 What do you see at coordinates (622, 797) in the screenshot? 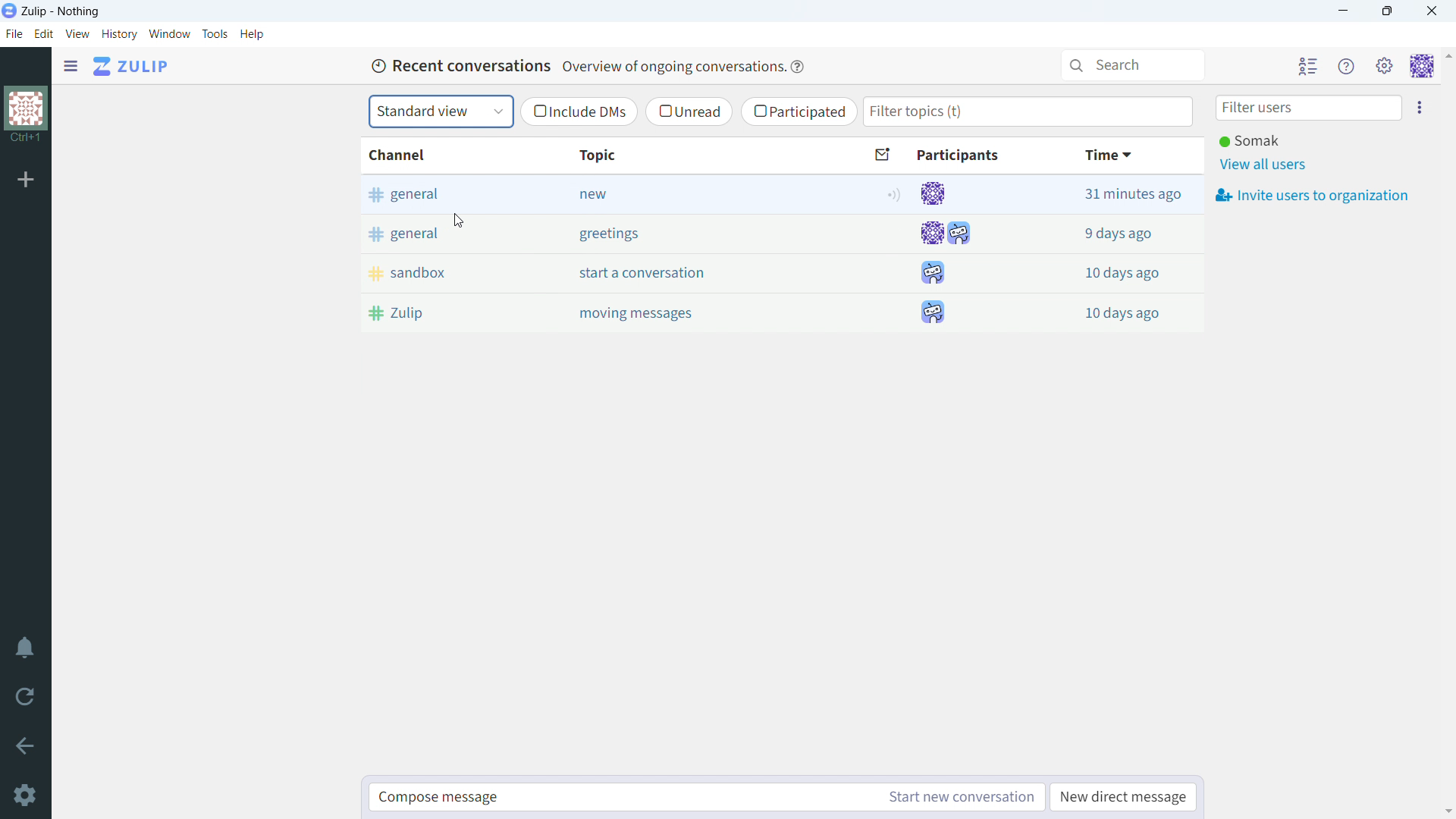
I see `compose message` at bounding box center [622, 797].